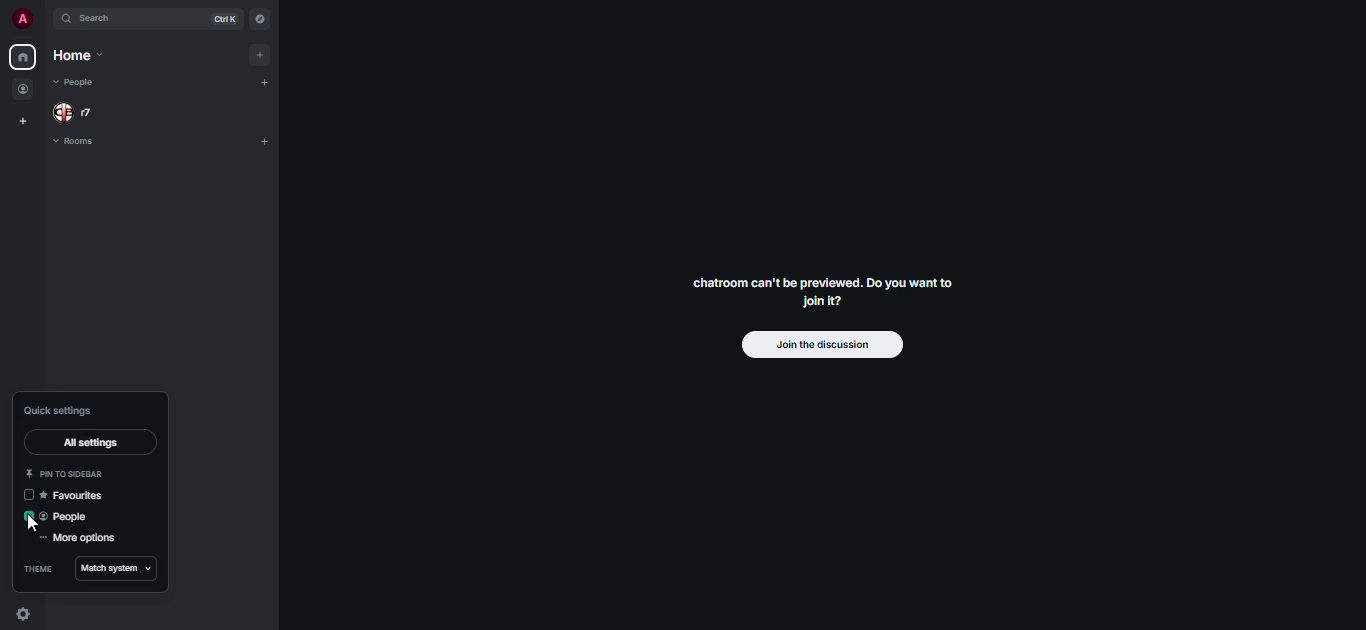 The image size is (1366, 630). What do you see at coordinates (67, 474) in the screenshot?
I see `pin to sidebar` at bounding box center [67, 474].